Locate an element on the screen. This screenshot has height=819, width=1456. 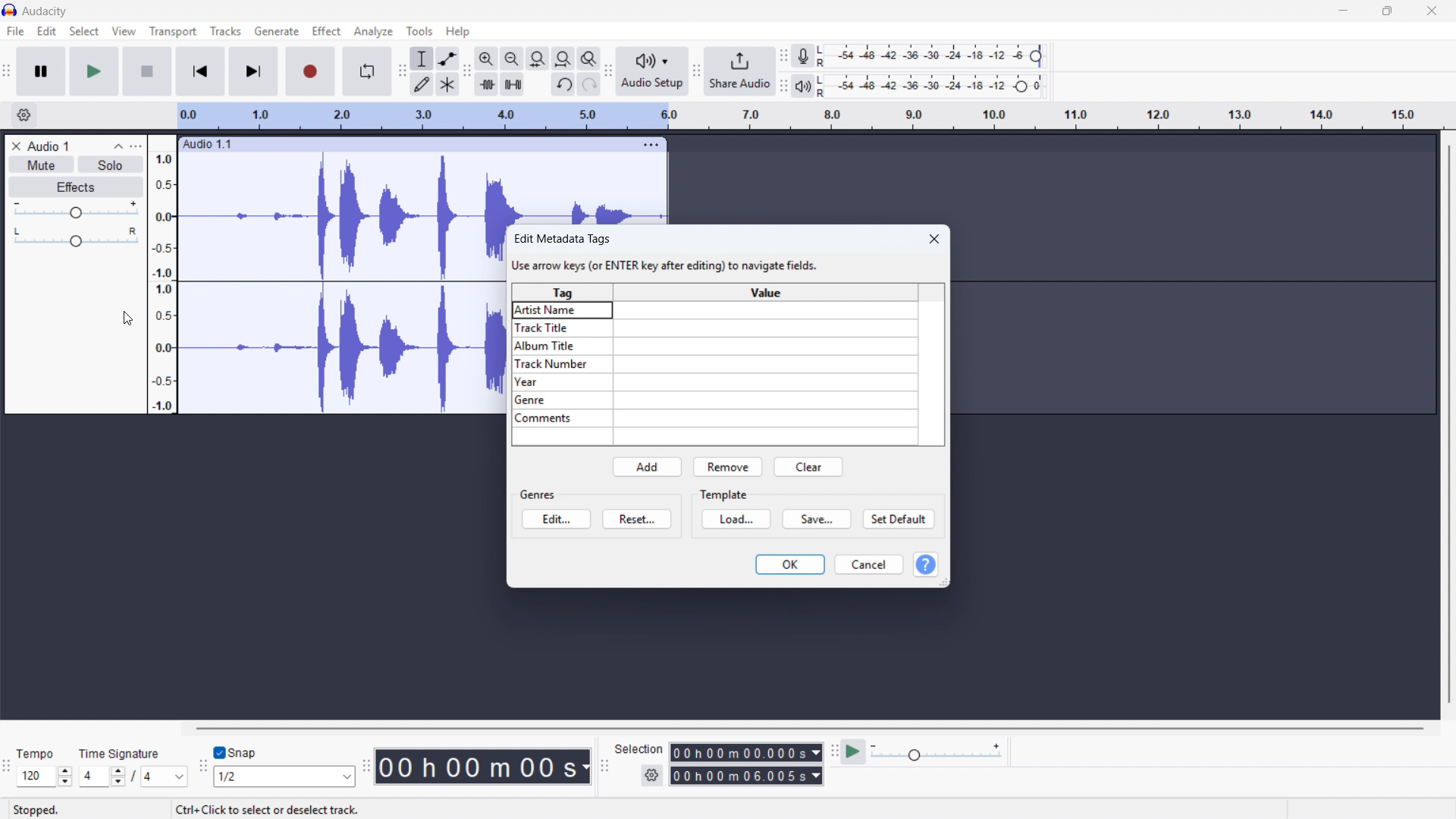
album title is located at coordinates (714, 347).